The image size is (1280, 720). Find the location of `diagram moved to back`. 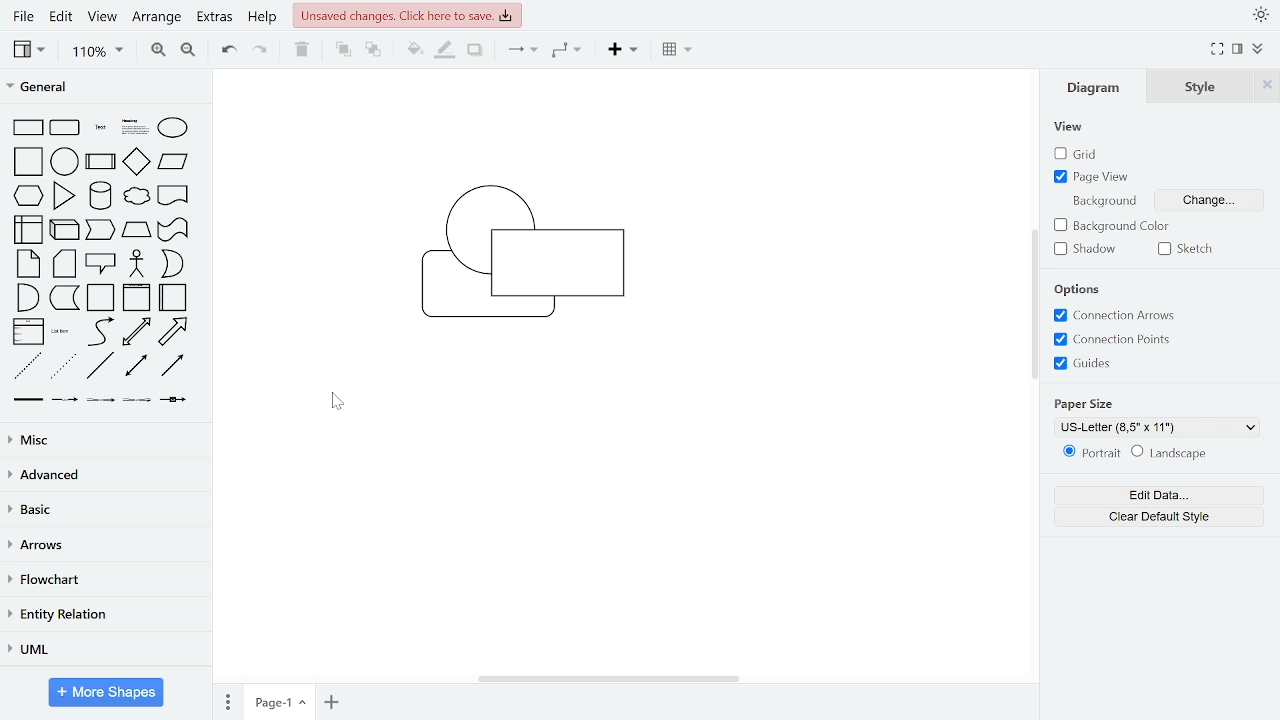

diagram moved to back is located at coordinates (514, 249).